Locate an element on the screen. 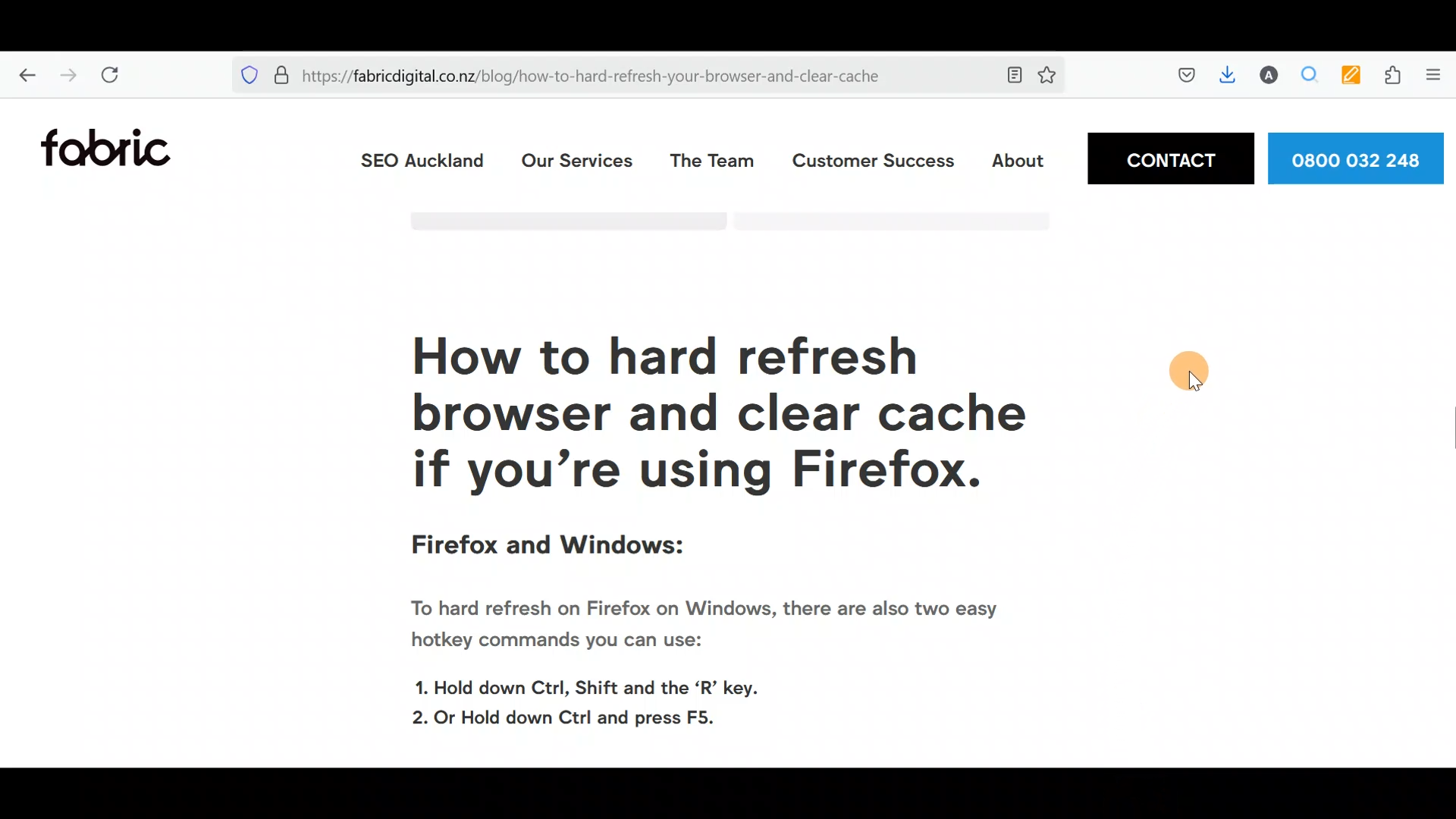 Image resolution: width=1456 pixels, height=819 pixels. Go forward one page is located at coordinates (65, 76).